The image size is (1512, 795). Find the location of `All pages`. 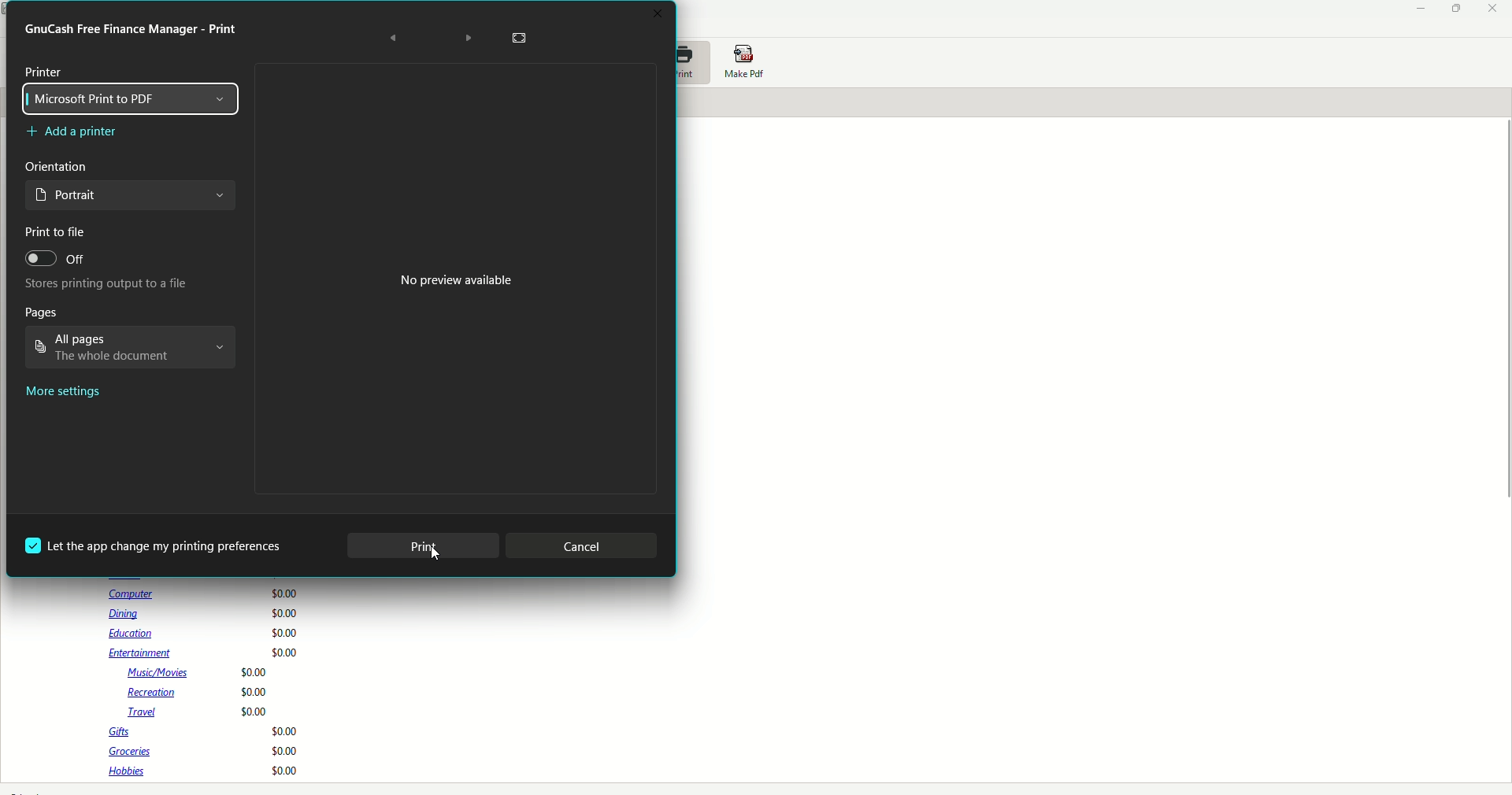

All pages is located at coordinates (130, 350).